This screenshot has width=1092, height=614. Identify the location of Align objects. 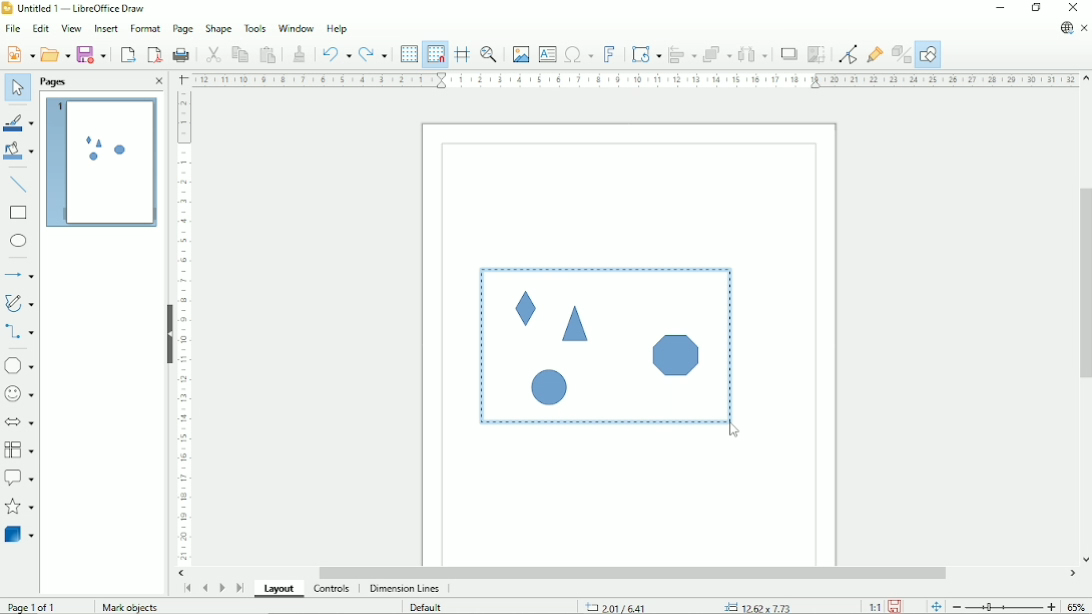
(681, 54).